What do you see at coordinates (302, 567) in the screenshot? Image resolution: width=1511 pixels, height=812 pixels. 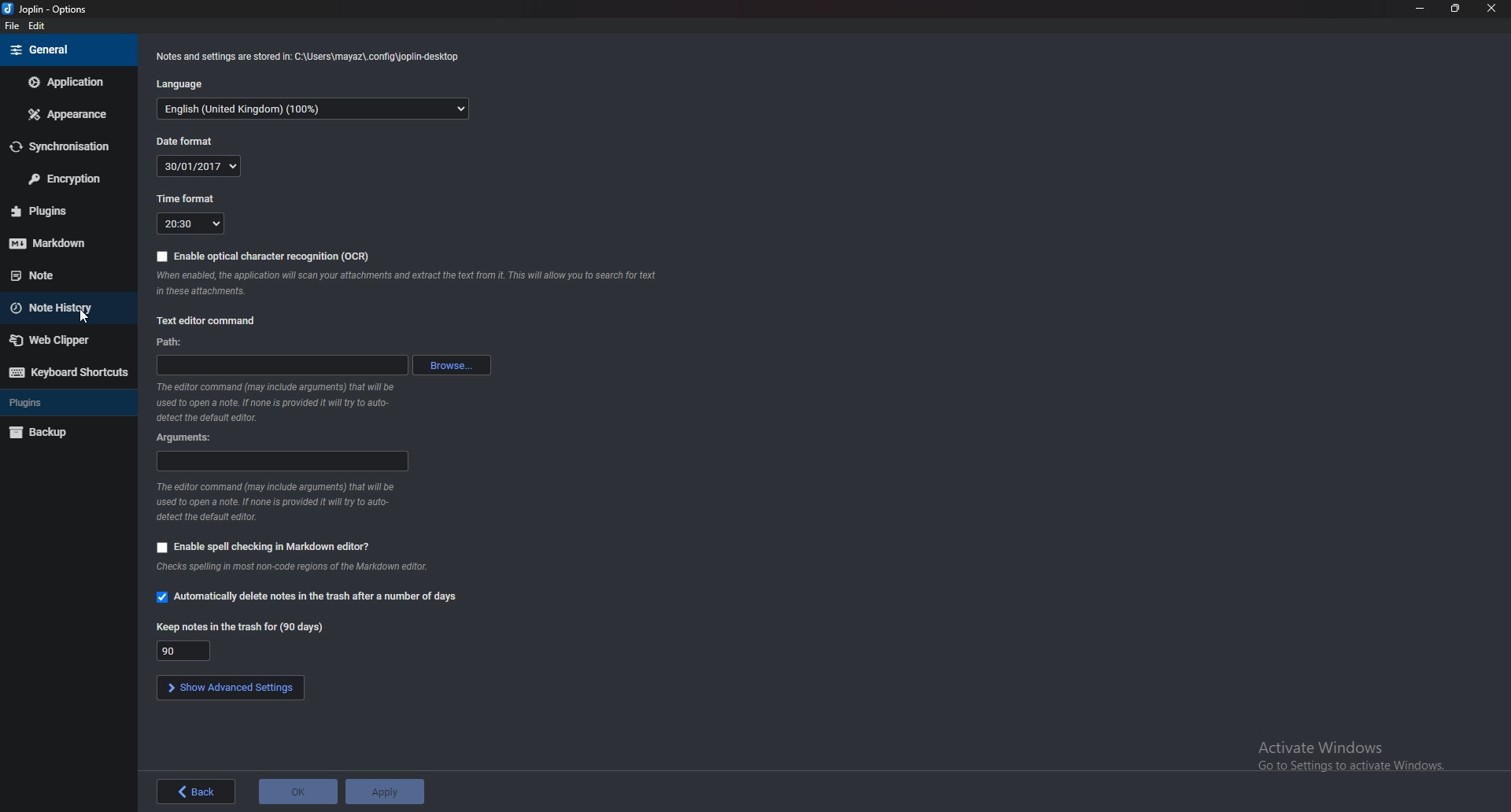 I see `Info` at bounding box center [302, 567].